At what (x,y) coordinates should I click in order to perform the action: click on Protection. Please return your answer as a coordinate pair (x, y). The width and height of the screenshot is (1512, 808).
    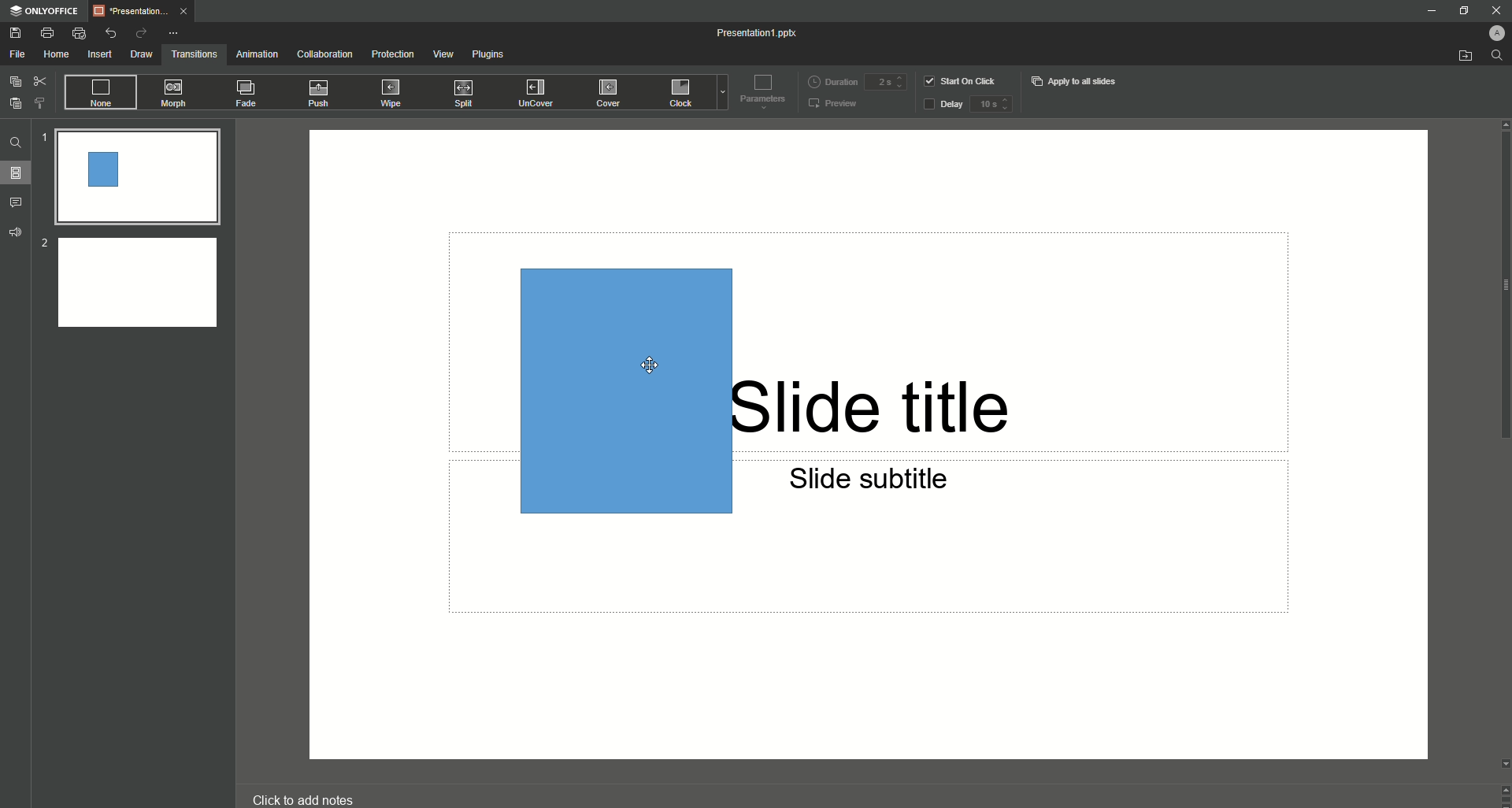
    Looking at the image, I should click on (393, 54).